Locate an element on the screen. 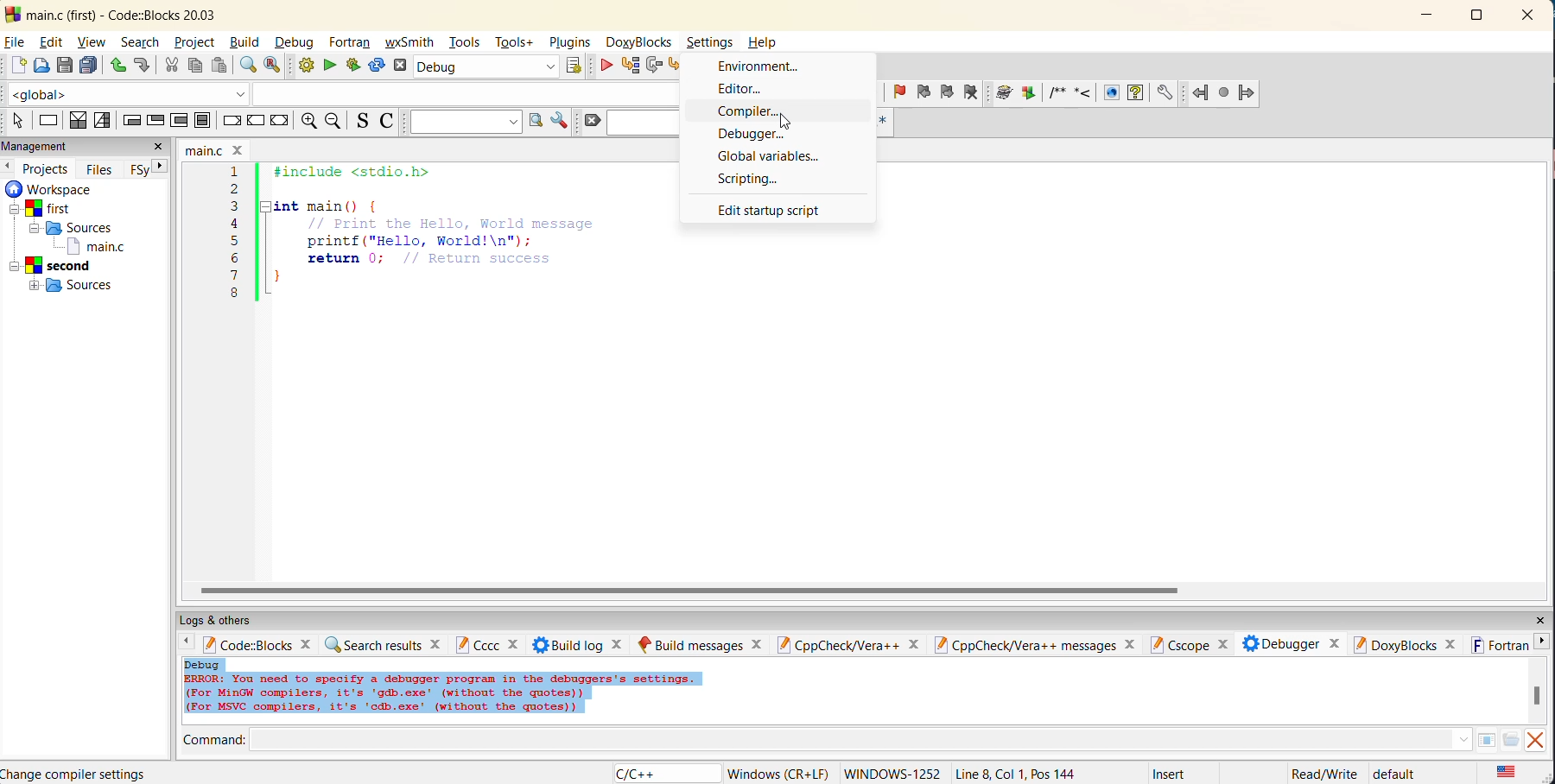  Help is located at coordinates (765, 41).